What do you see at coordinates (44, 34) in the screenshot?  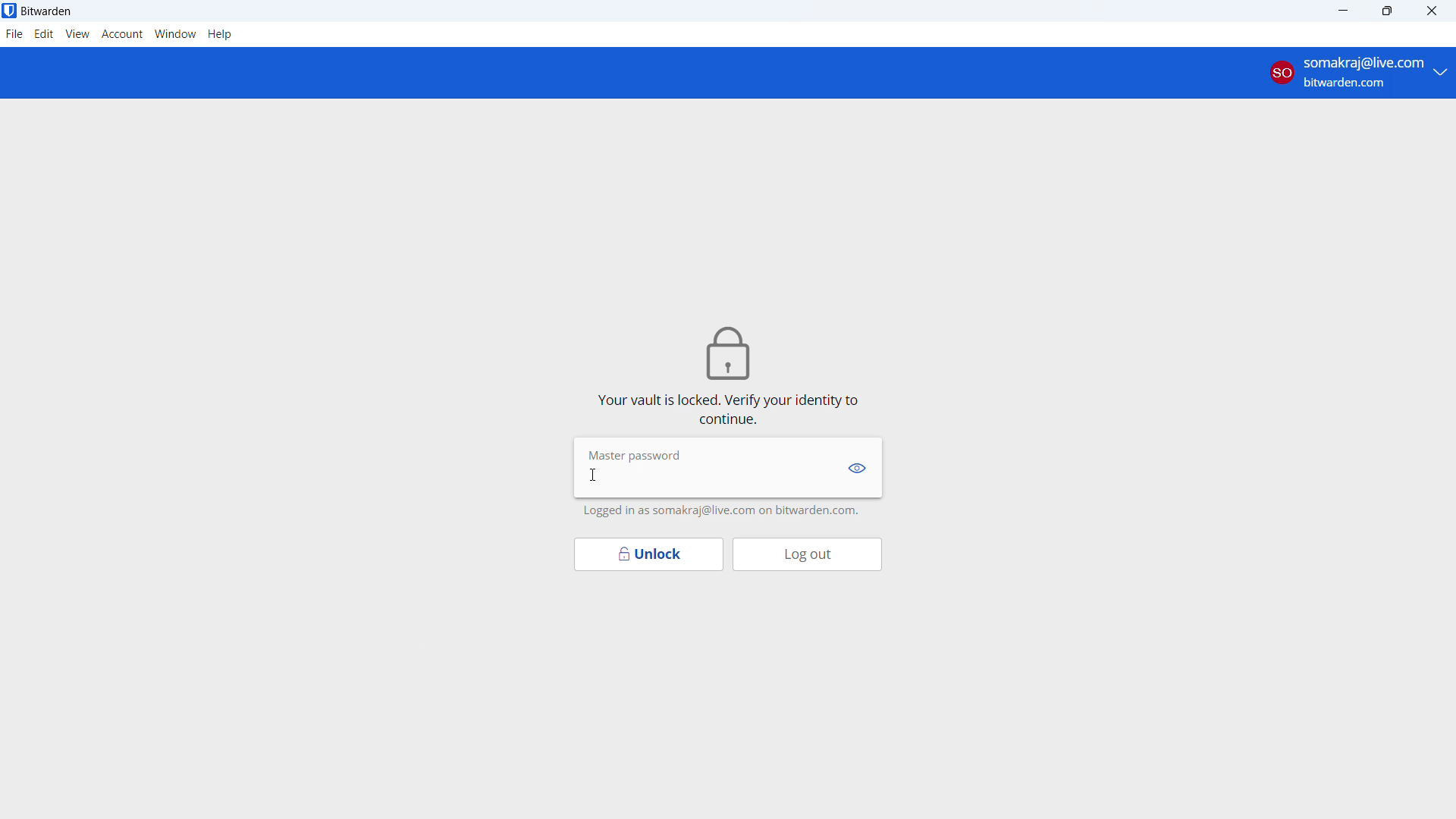 I see `edit` at bounding box center [44, 34].